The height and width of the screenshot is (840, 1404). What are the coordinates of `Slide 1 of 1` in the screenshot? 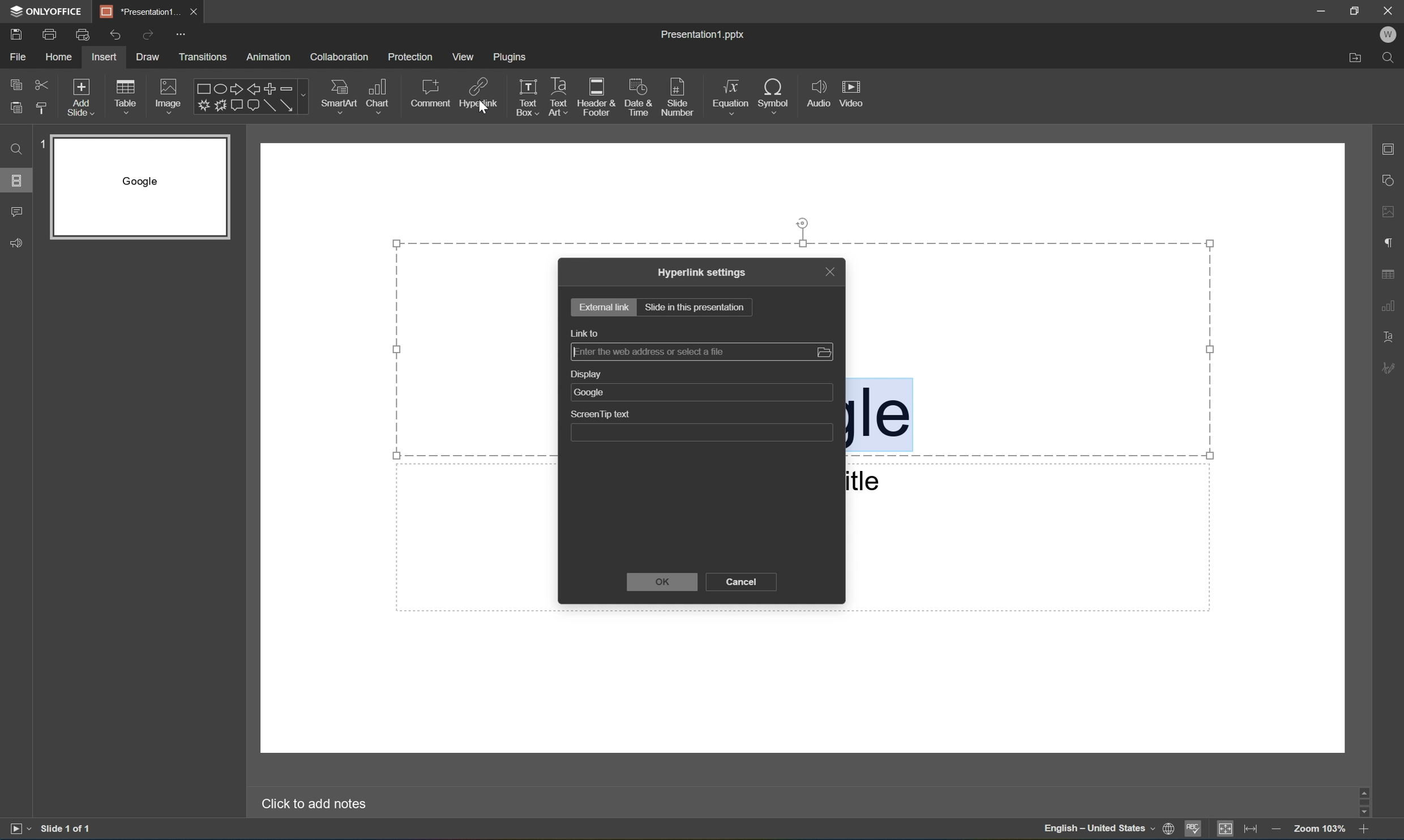 It's located at (69, 829).